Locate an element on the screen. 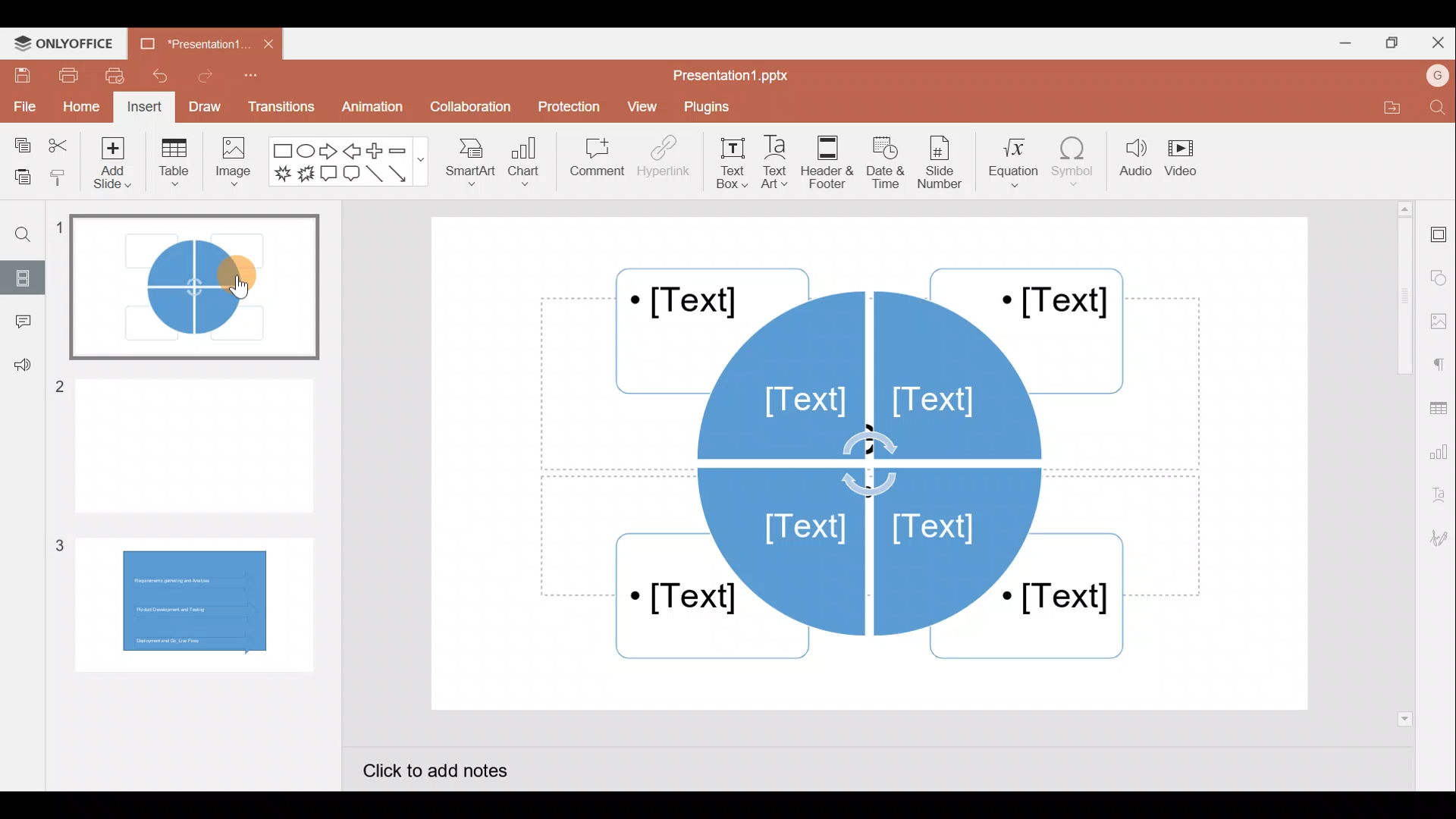 Image resolution: width=1456 pixels, height=819 pixels. Feedback & support is located at coordinates (20, 370).